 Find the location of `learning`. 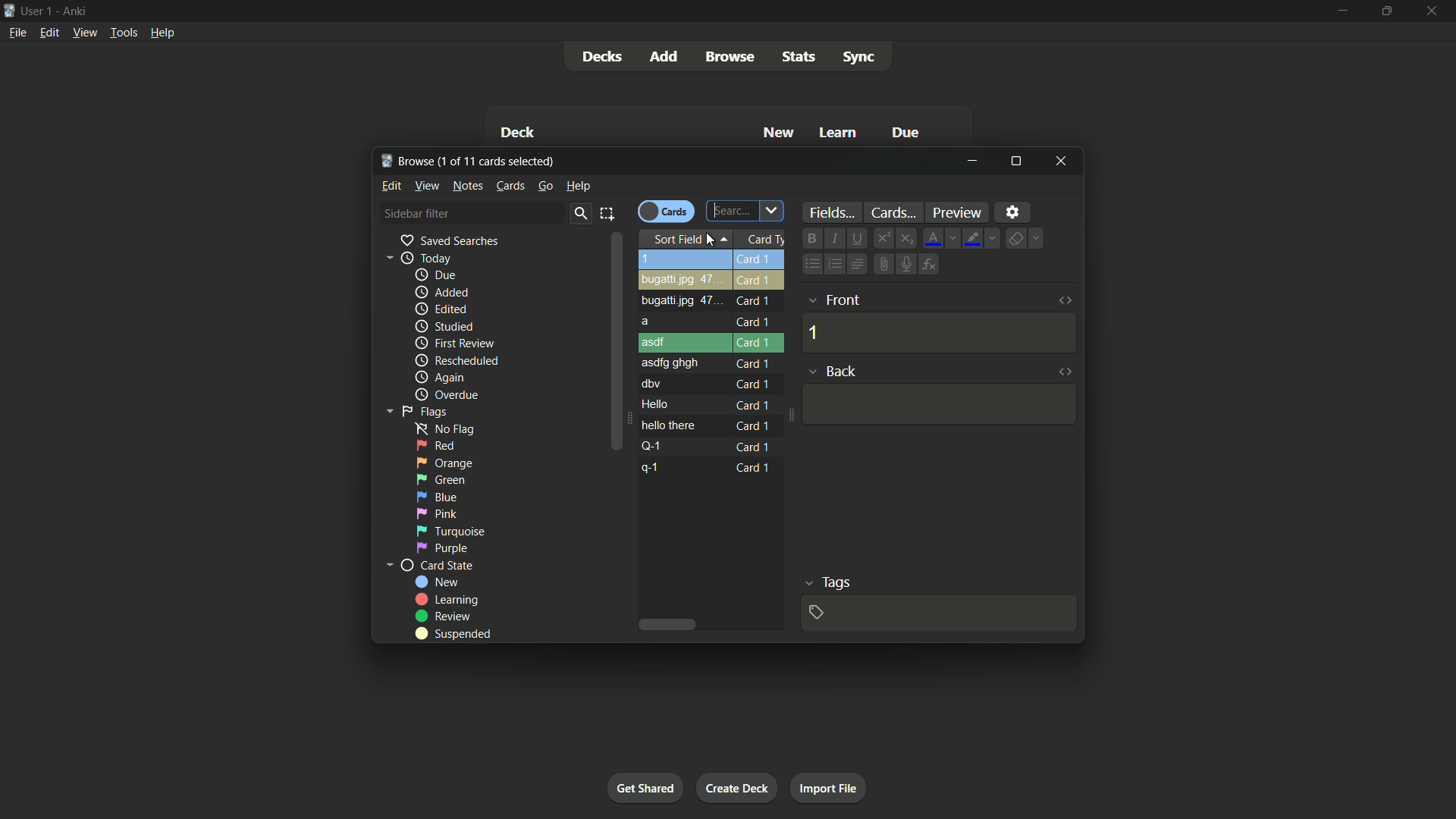

learning is located at coordinates (451, 599).